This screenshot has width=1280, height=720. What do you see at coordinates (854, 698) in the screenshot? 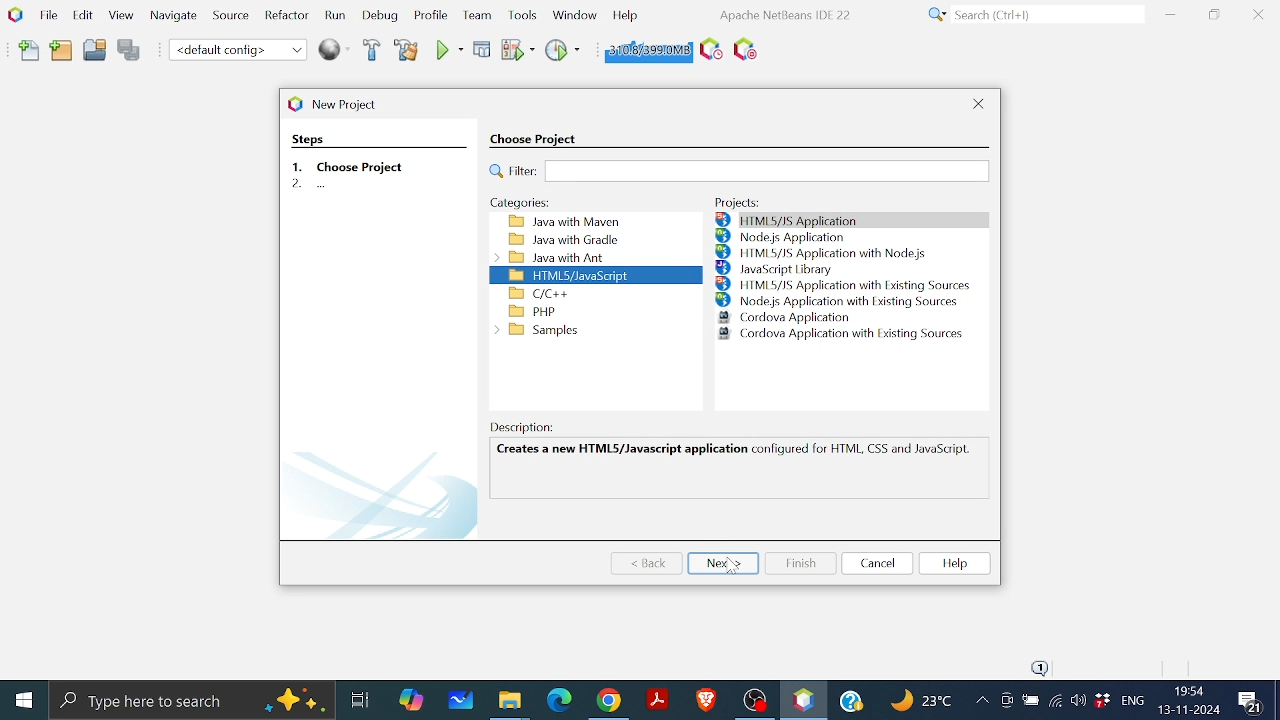
I see `Help` at bounding box center [854, 698].